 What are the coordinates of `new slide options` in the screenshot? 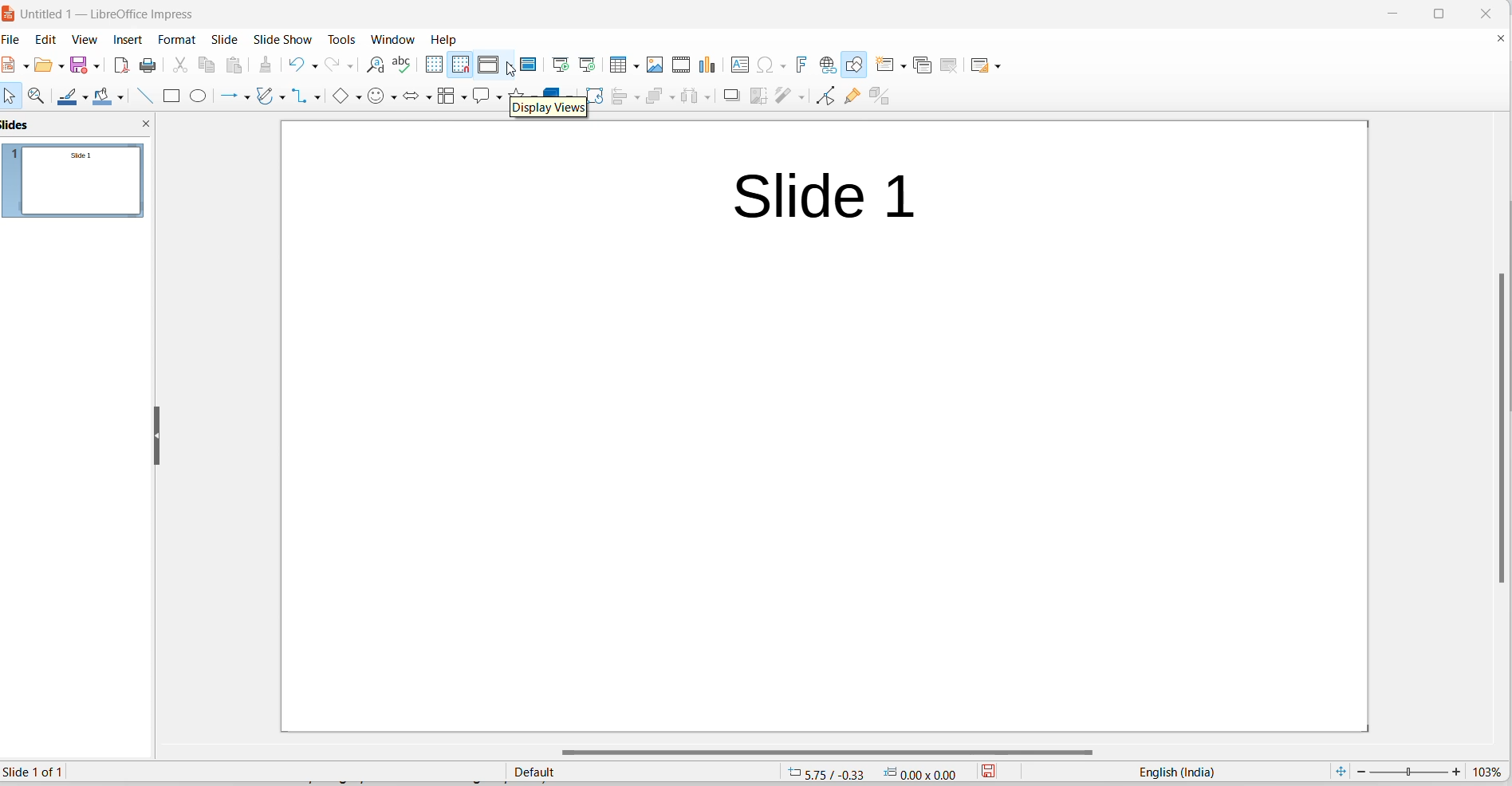 It's located at (902, 65).